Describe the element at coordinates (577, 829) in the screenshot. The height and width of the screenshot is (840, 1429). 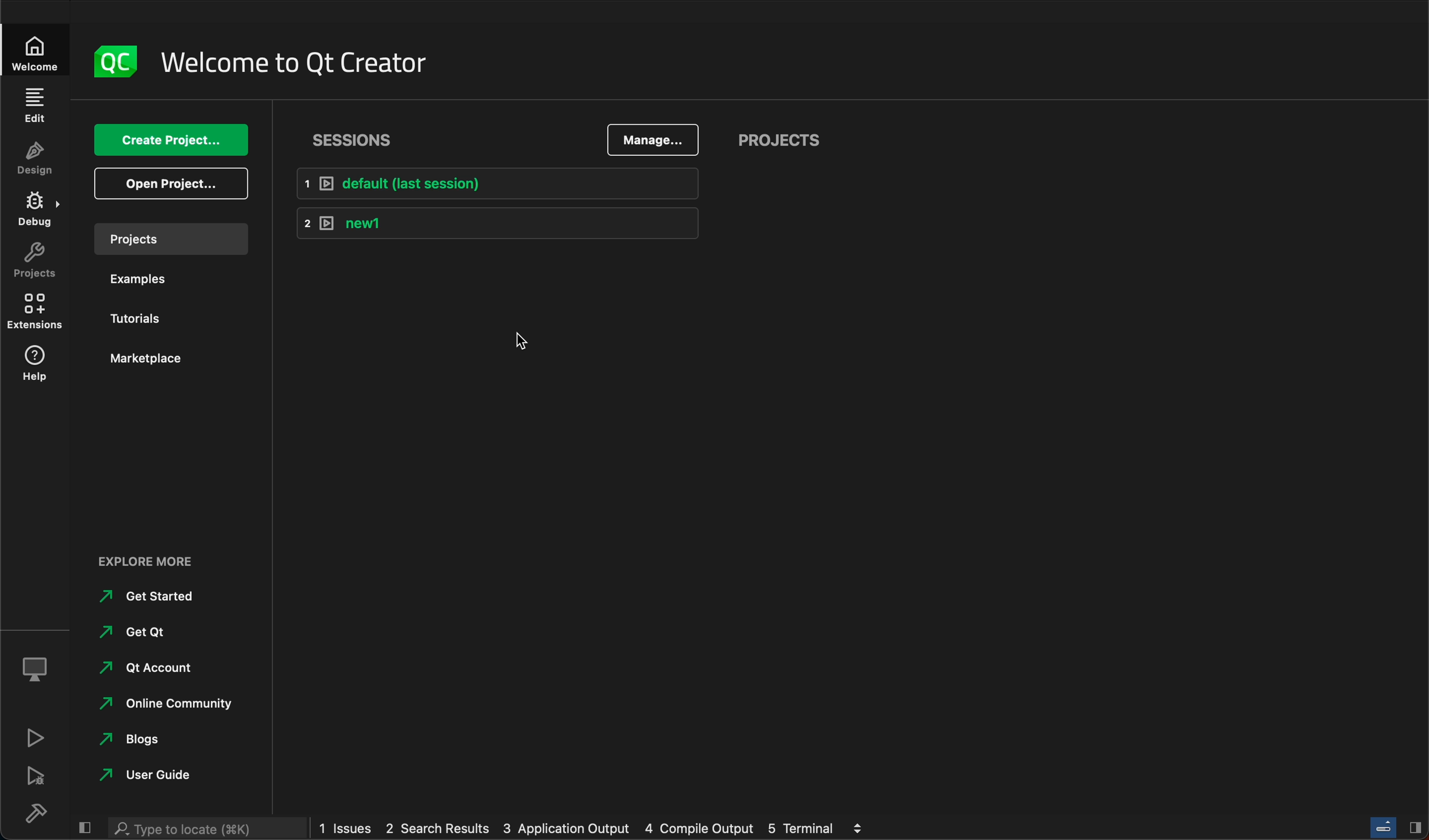
I see `logs` at that location.